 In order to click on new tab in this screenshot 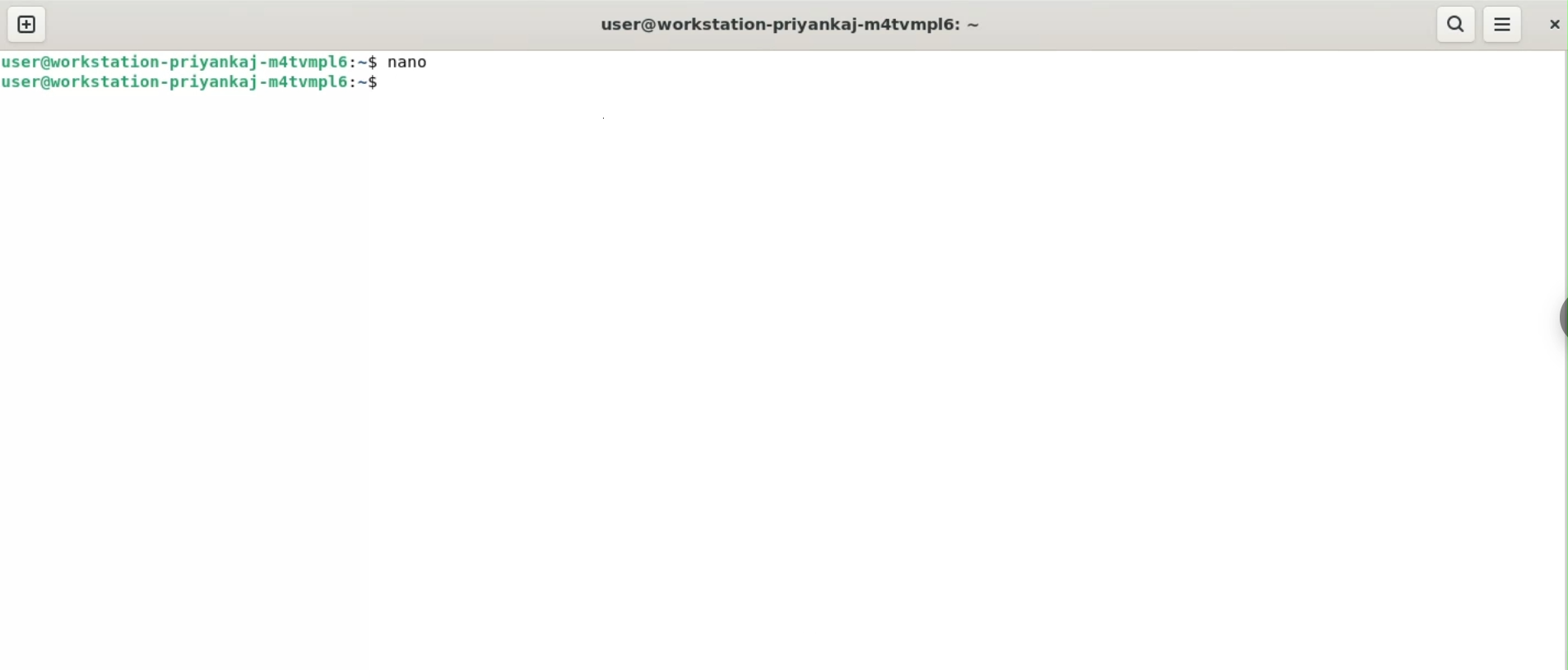, I will do `click(28, 23)`.